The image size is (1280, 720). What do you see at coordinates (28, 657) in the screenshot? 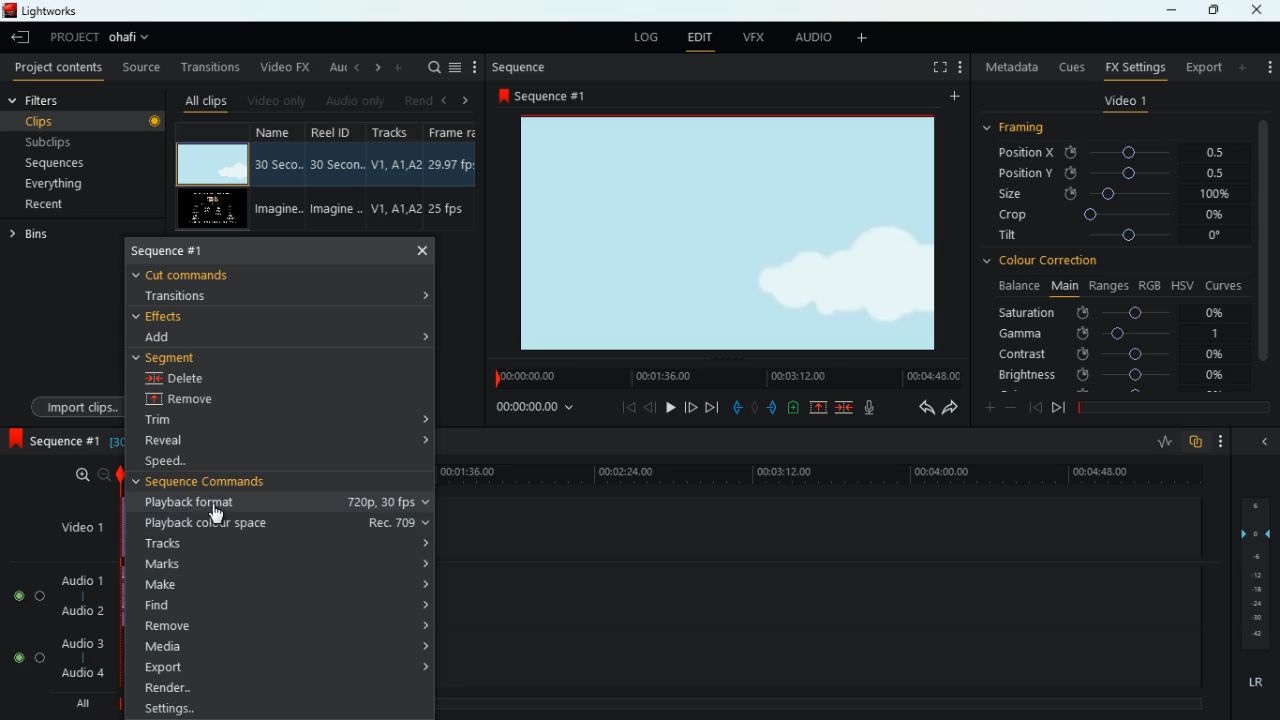
I see `Audio` at bounding box center [28, 657].